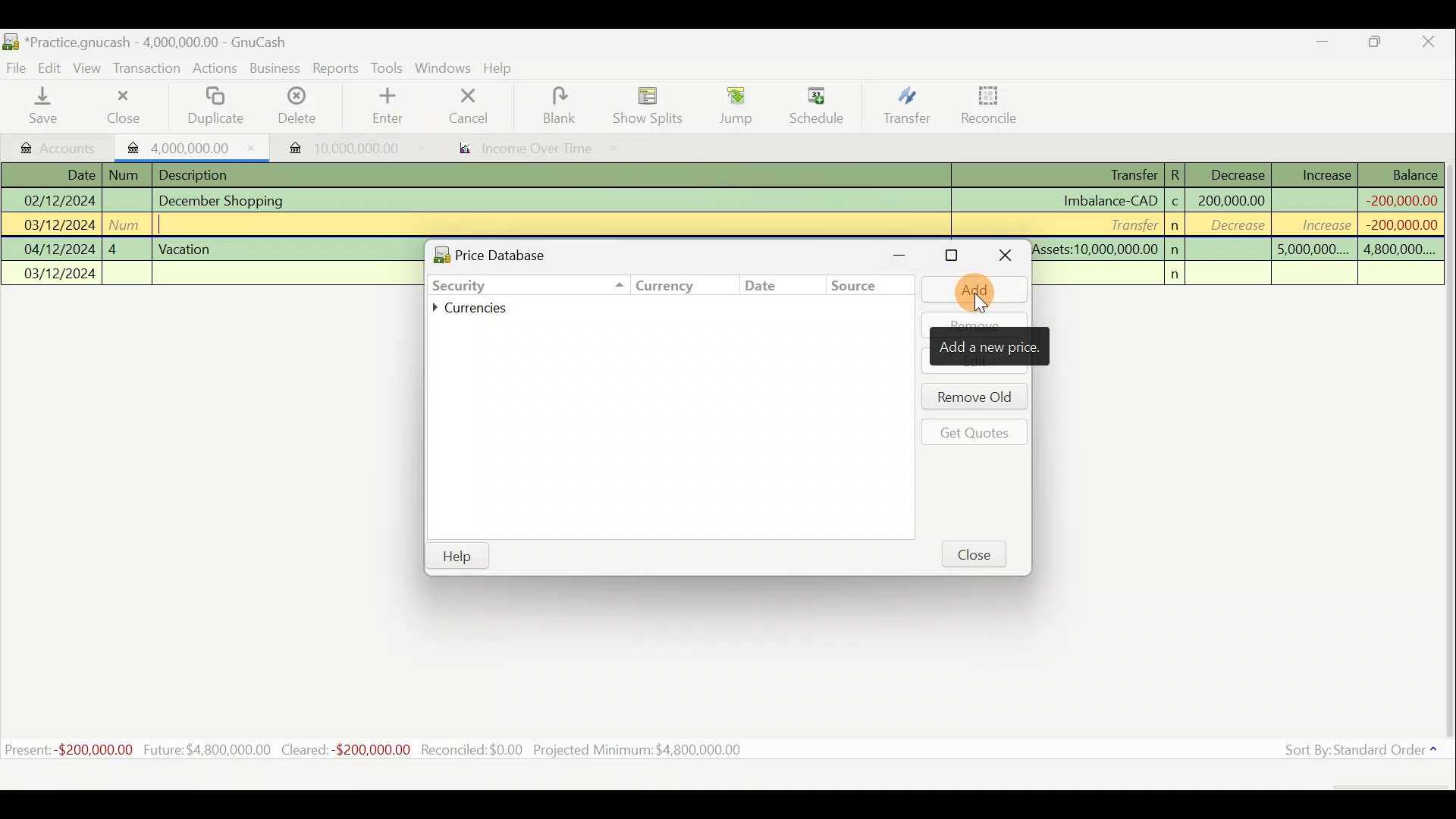 This screenshot has width=1456, height=819. I want to click on 200,000,000, so click(1230, 200).